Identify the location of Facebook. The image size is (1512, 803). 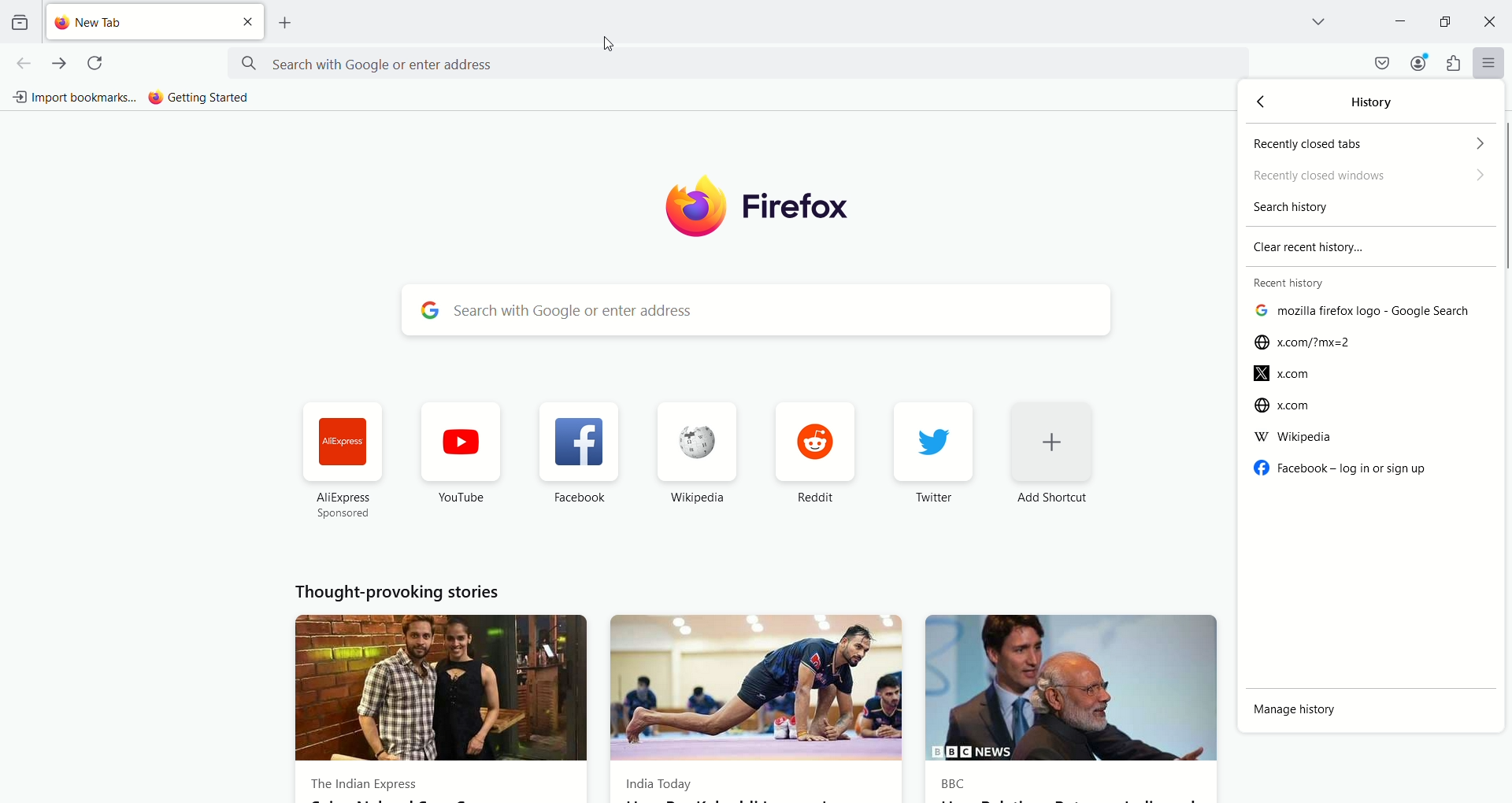
(576, 450).